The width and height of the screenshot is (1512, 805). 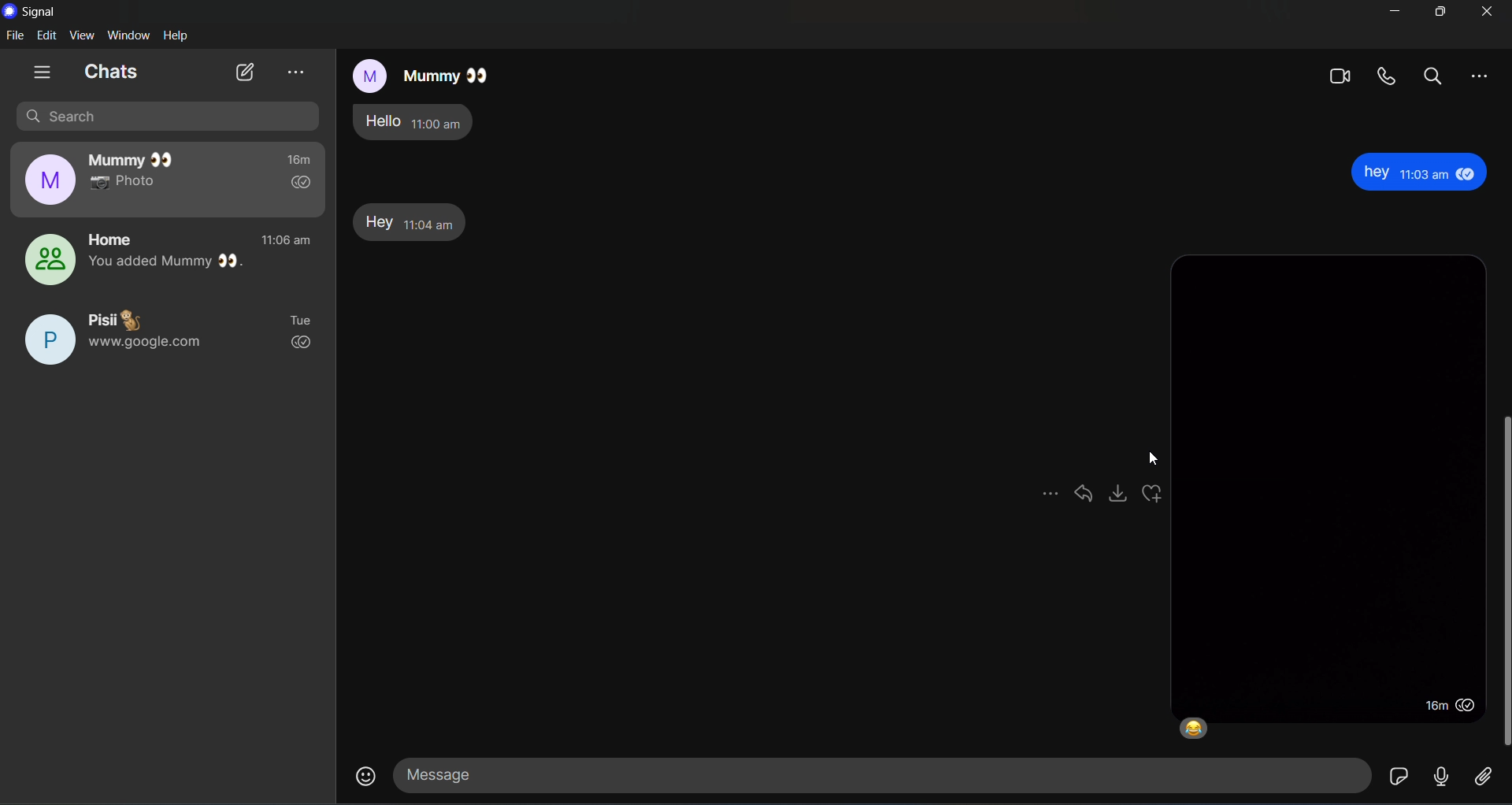 I want to click on view archieve, so click(x=295, y=72).